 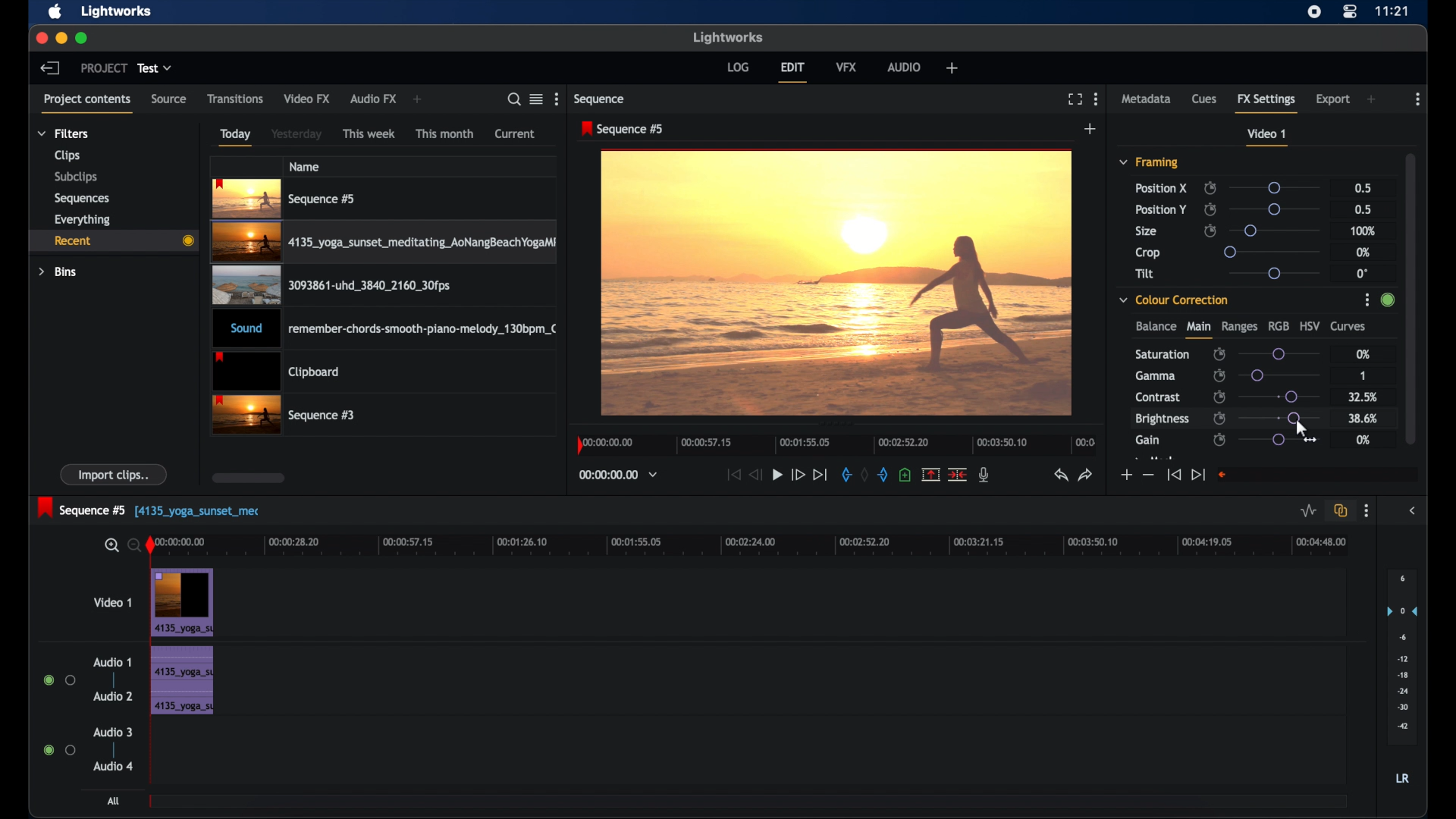 I want to click on fx settings, so click(x=1266, y=101).